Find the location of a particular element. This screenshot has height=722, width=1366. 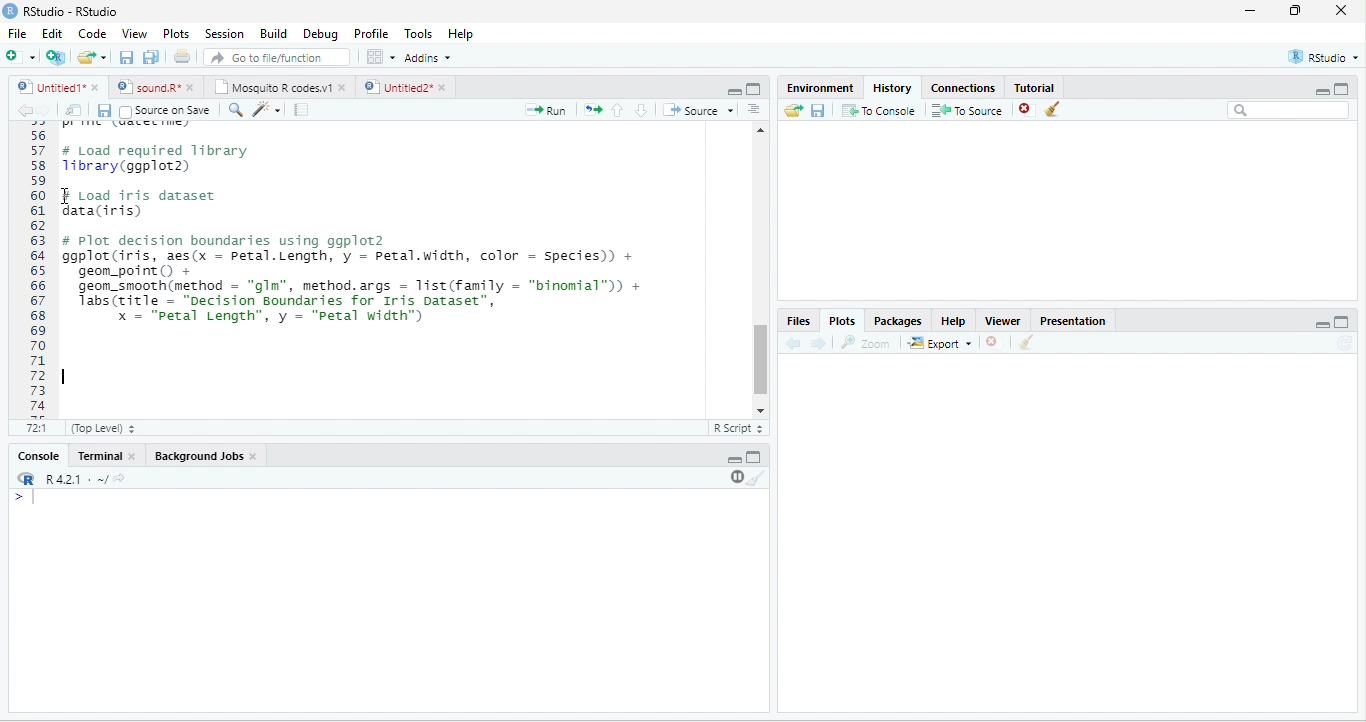

save is located at coordinates (104, 111).